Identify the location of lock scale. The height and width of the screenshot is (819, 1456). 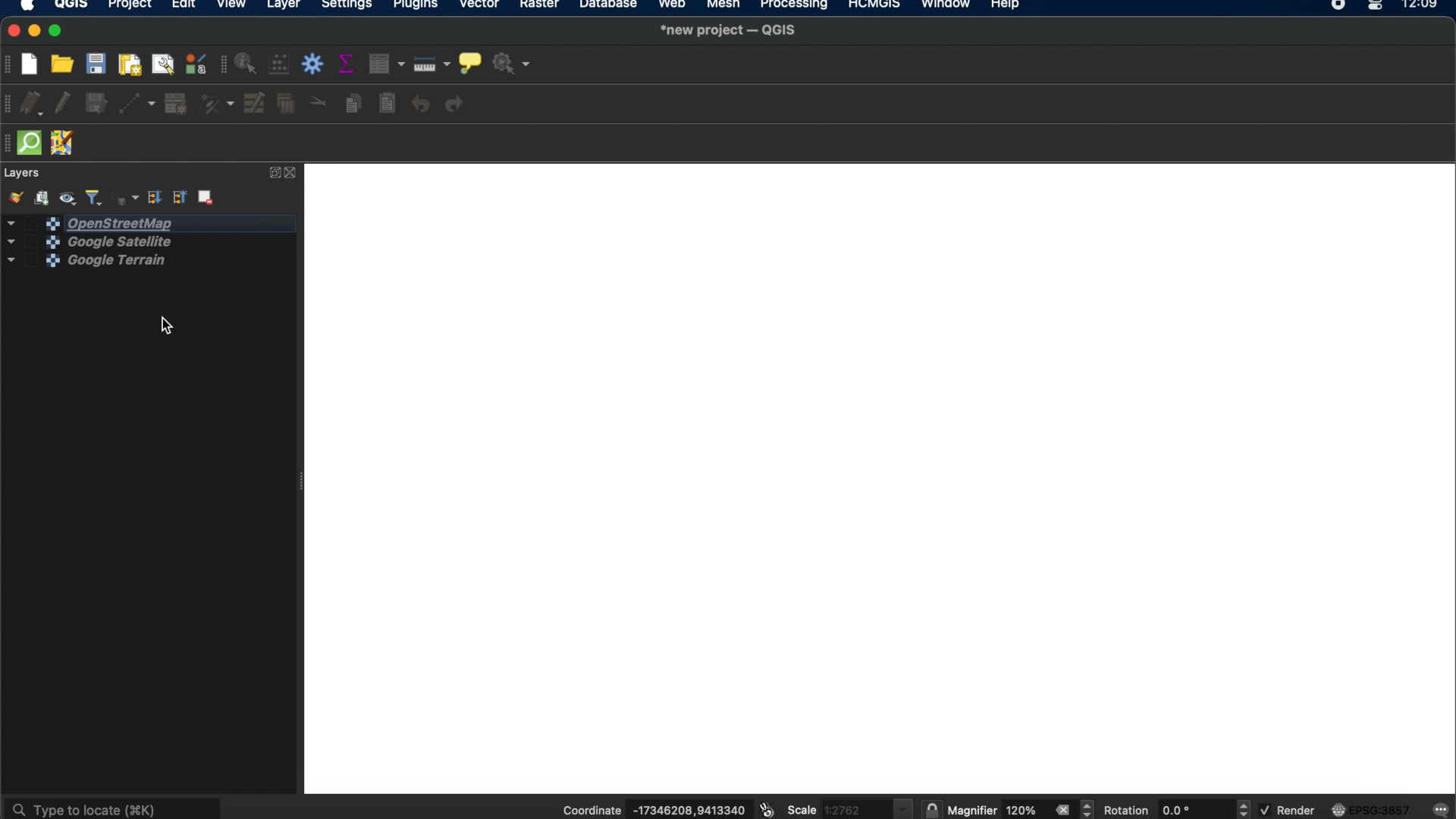
(931, 810).